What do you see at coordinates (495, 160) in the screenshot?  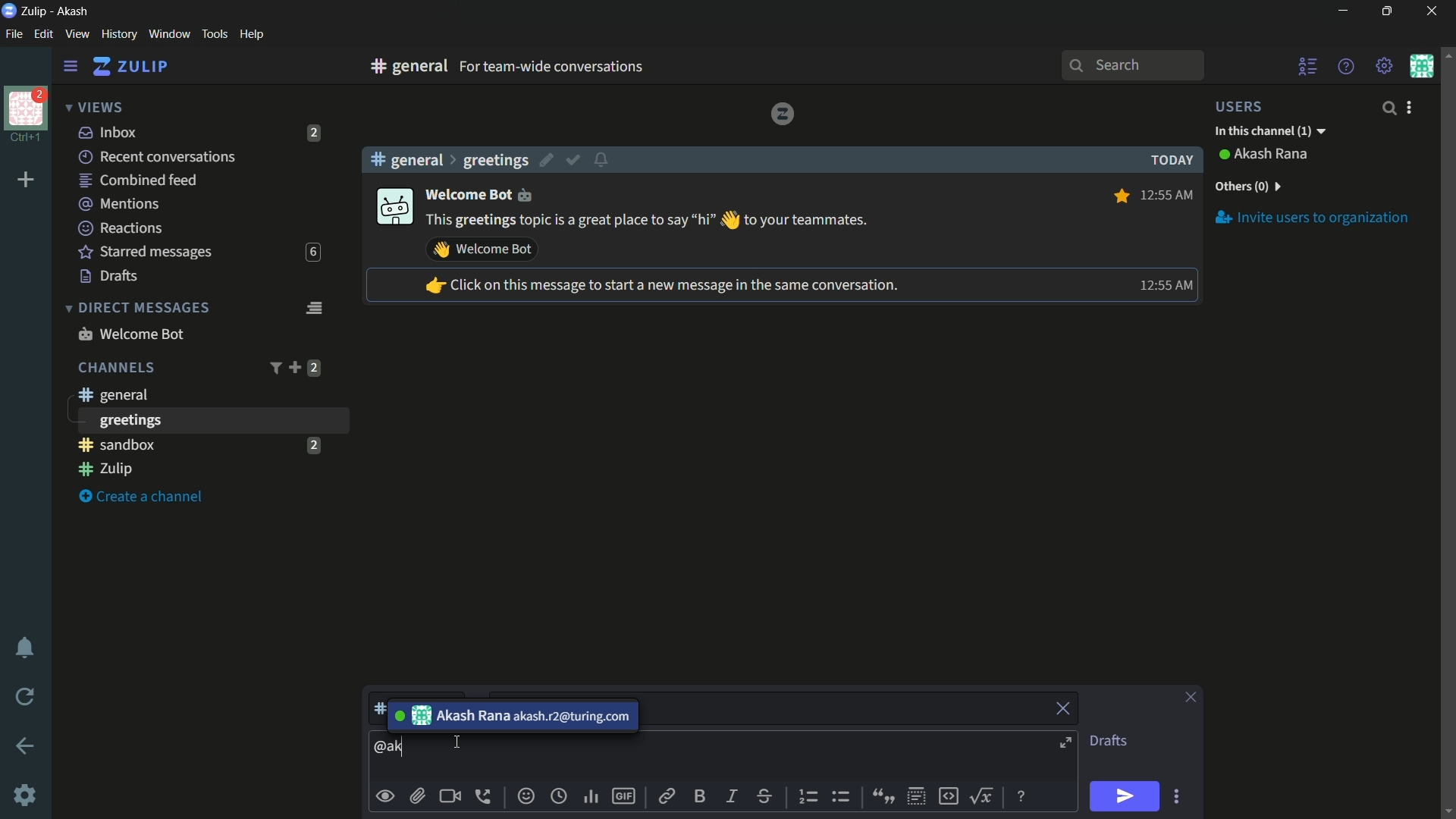 I see `greetings` at bounding box center [495, 160].